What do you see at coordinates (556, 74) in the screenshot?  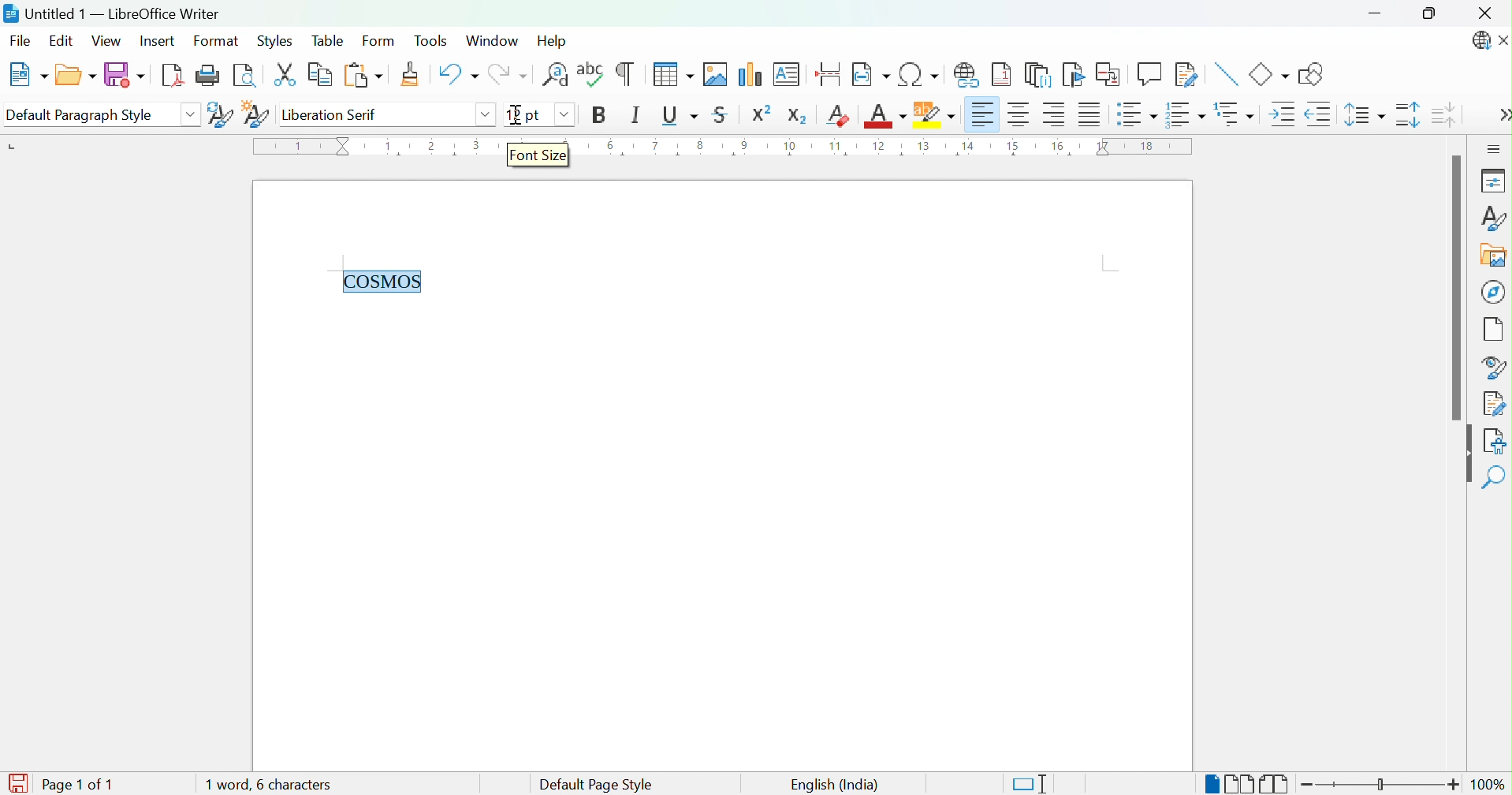 I see `Find and Replace` at bounding box center [556, 74].